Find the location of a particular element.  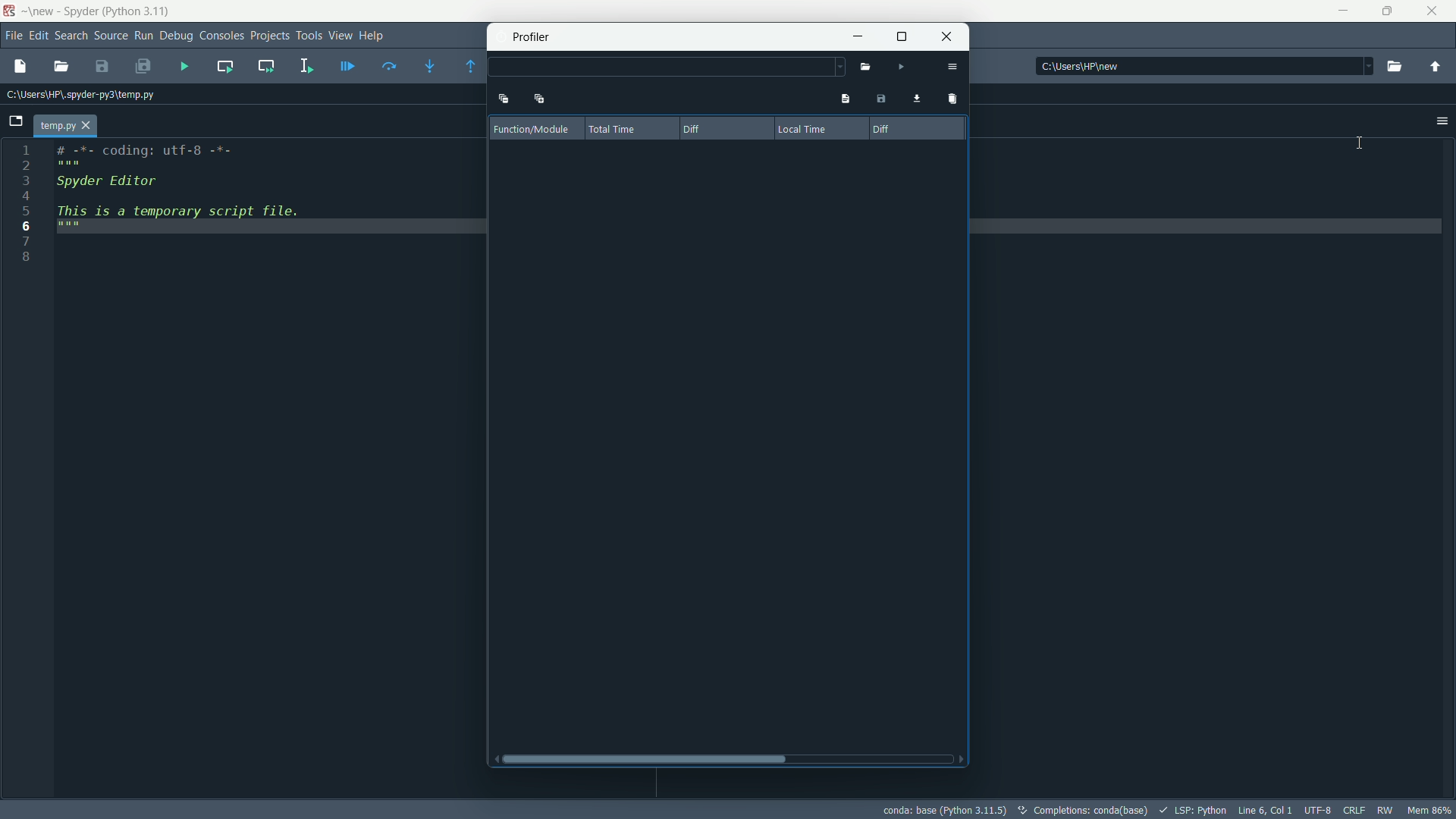

2 is located at coordinates (27, 165).